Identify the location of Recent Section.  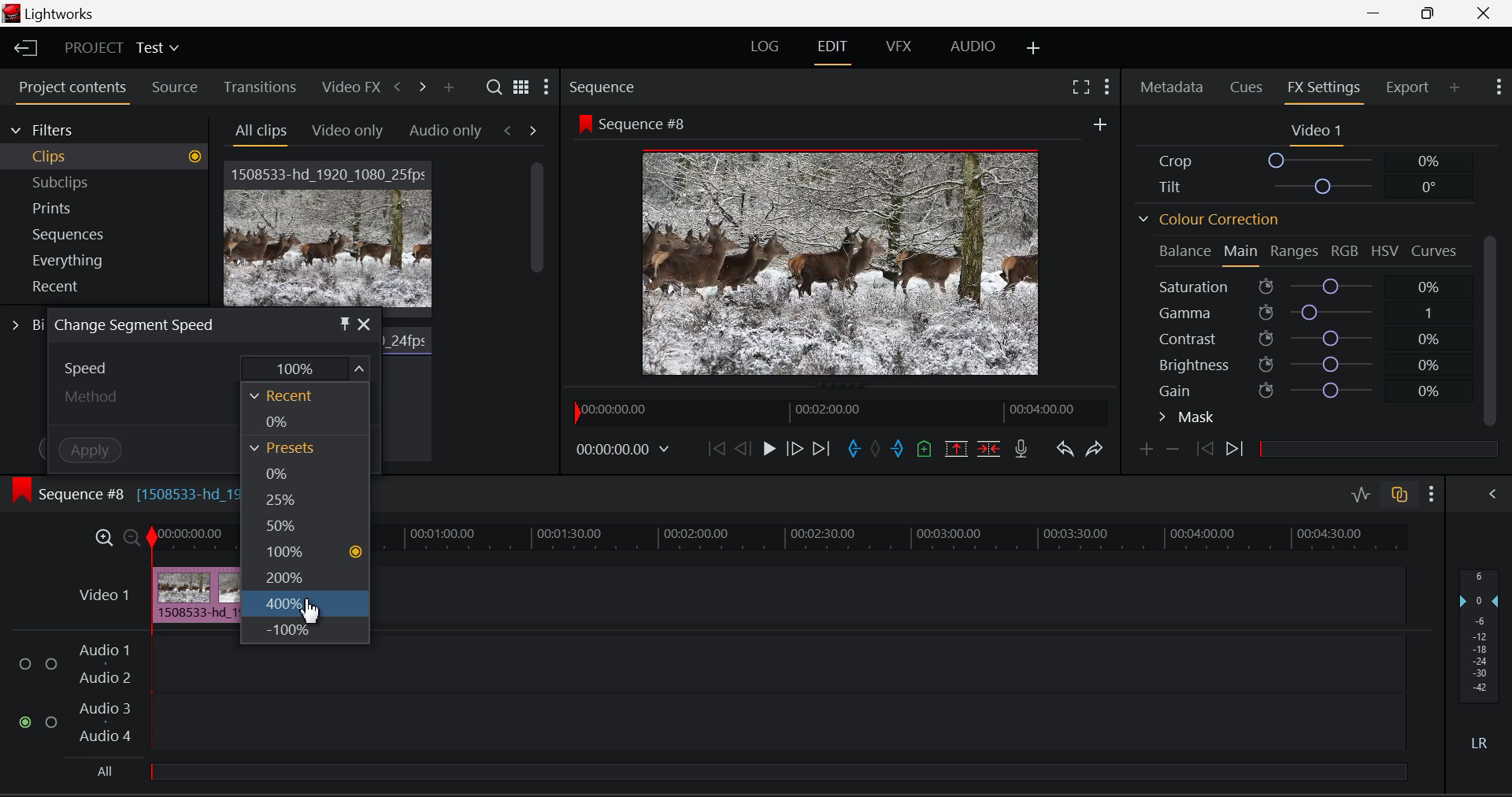
(296, 395).